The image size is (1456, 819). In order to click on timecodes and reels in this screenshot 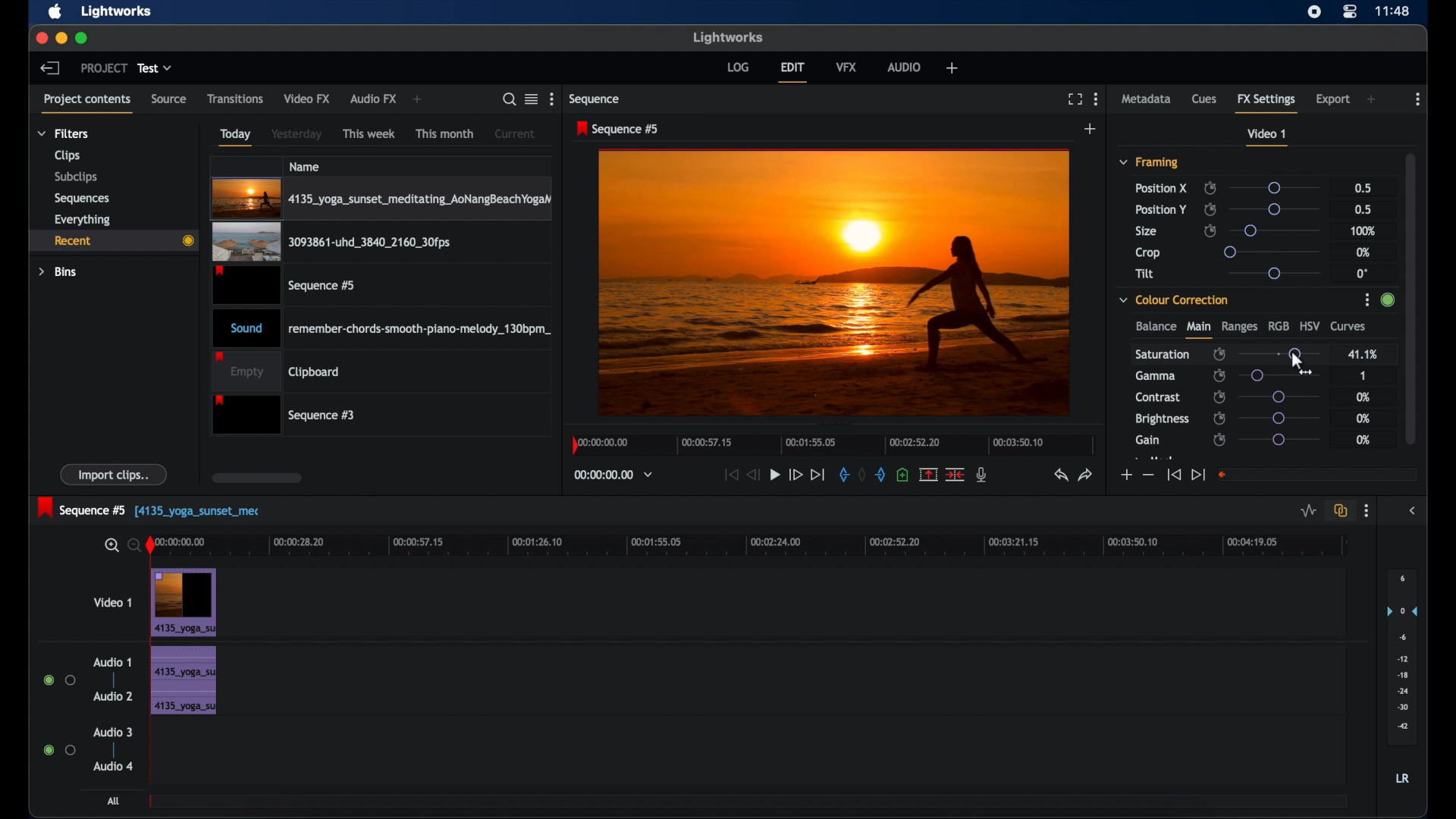, I will do `click(613, 475)`.